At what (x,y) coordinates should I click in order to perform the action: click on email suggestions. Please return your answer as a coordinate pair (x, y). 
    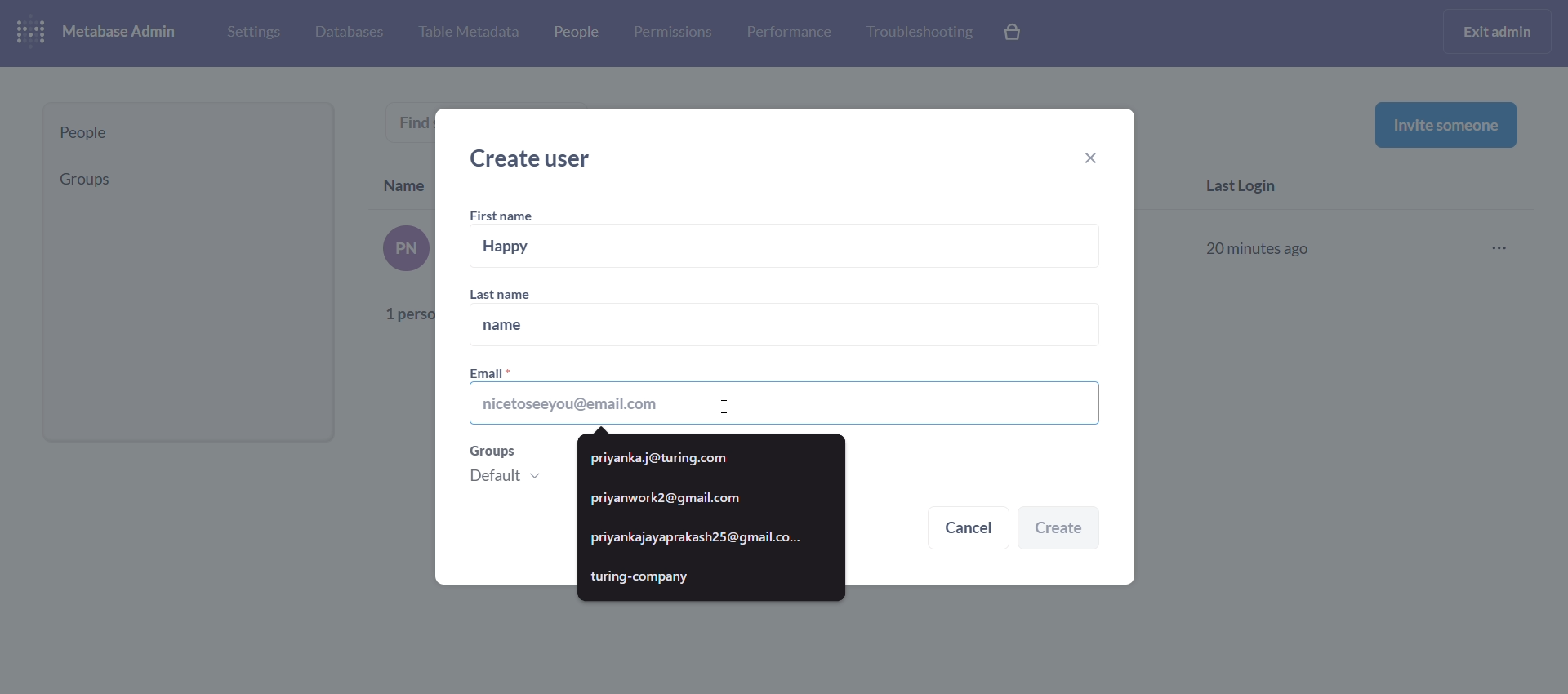
    Looking at the image, I should click on (712, 518).